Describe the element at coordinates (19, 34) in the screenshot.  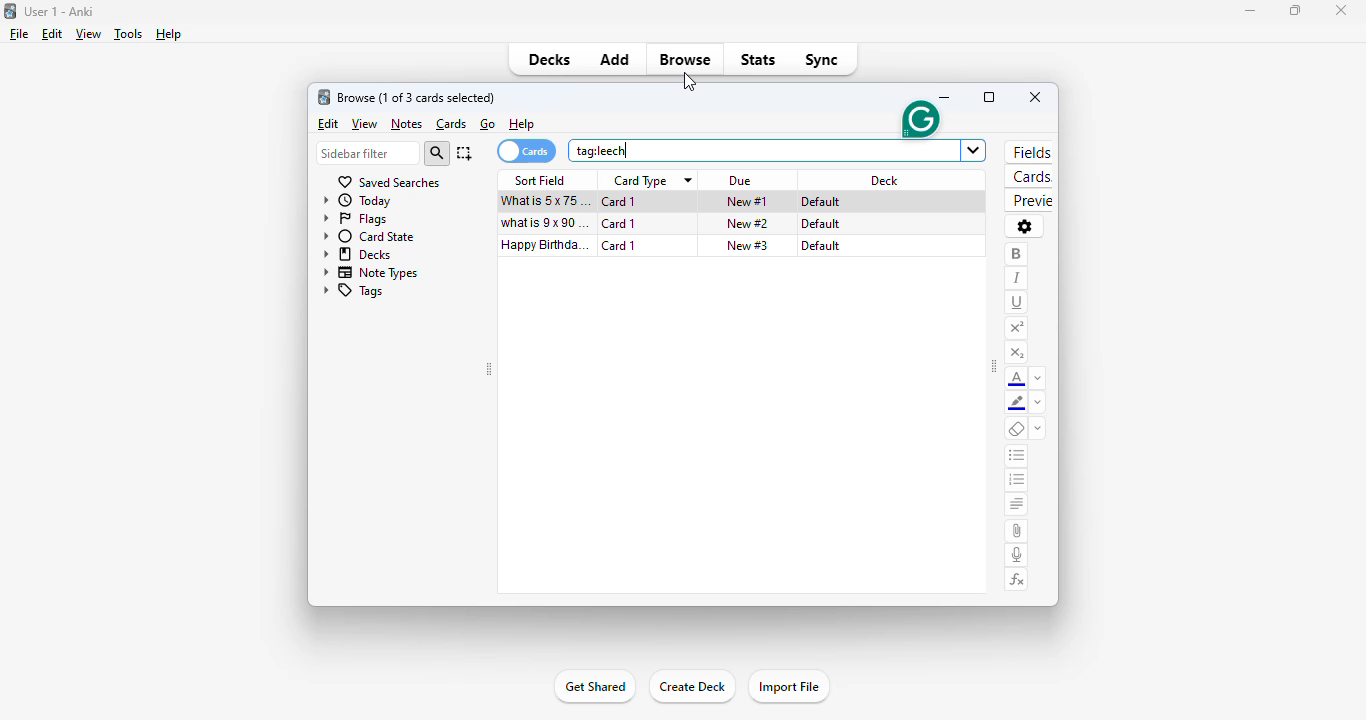
I see `file` at that location.